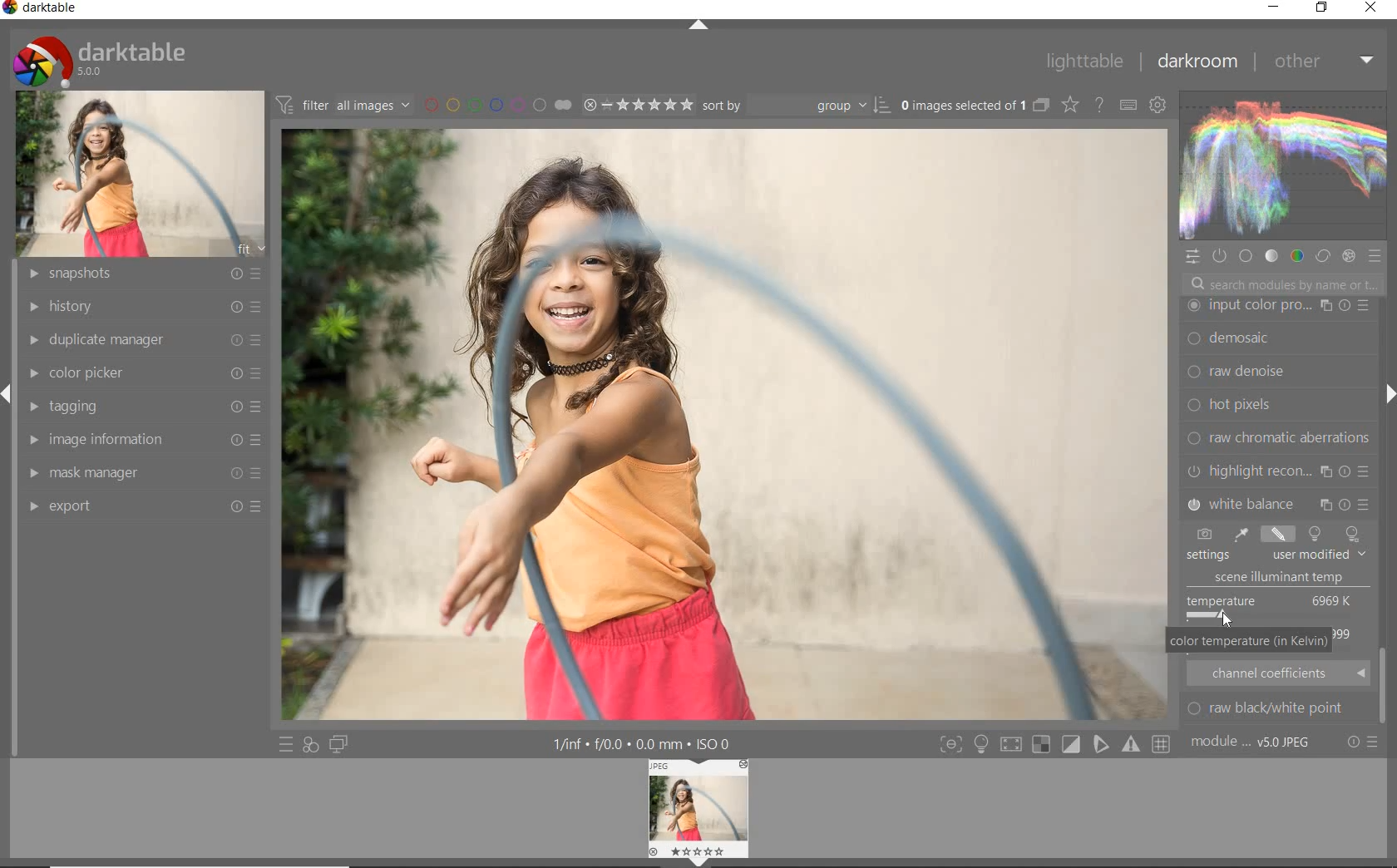 The width and height of the screenshot is (1397, 868). I want to click on darkroom, so click(1200, 62).